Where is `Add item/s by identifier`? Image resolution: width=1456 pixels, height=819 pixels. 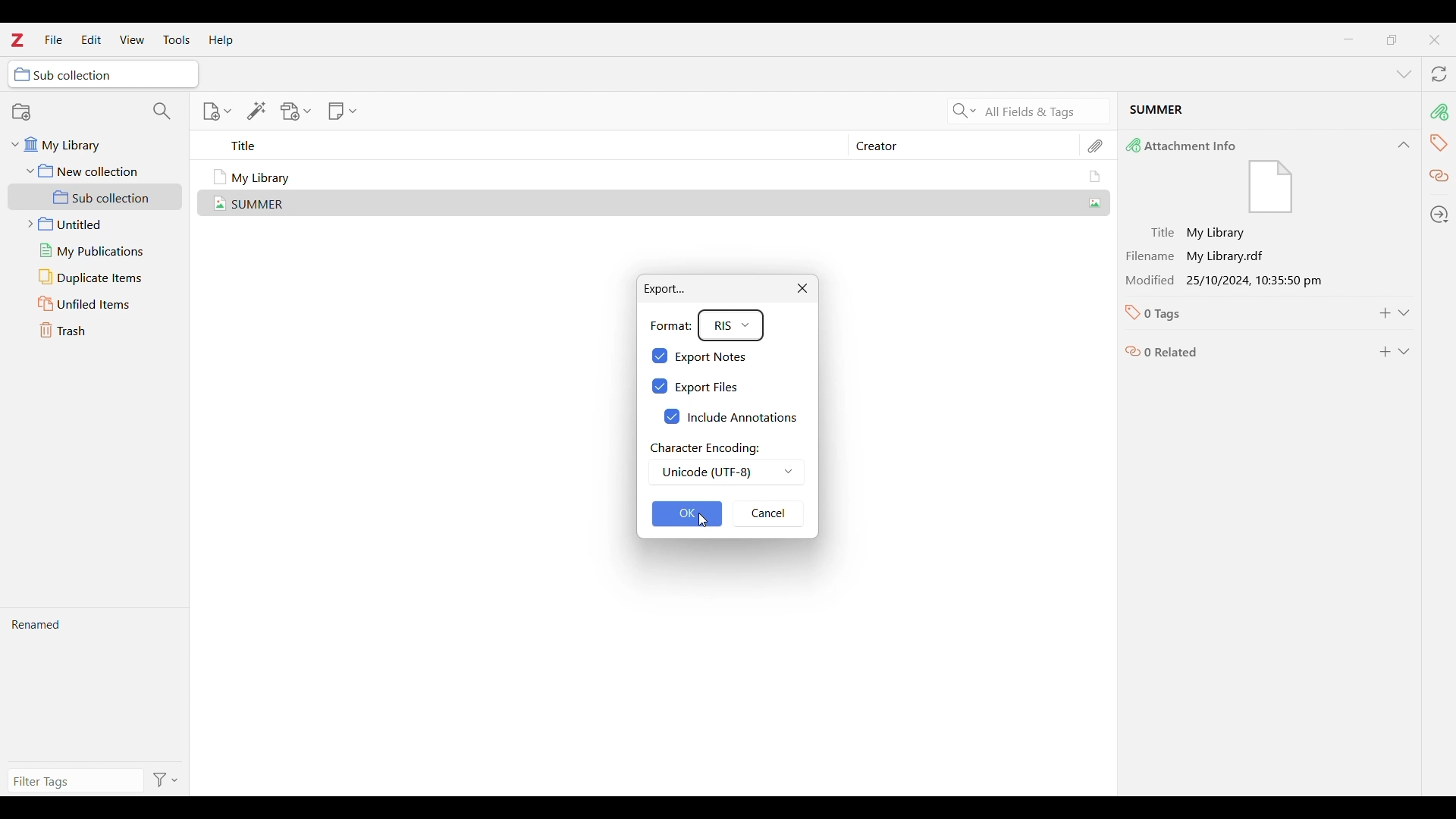 Add item/s by identifier is located at coordinates (257, 111).